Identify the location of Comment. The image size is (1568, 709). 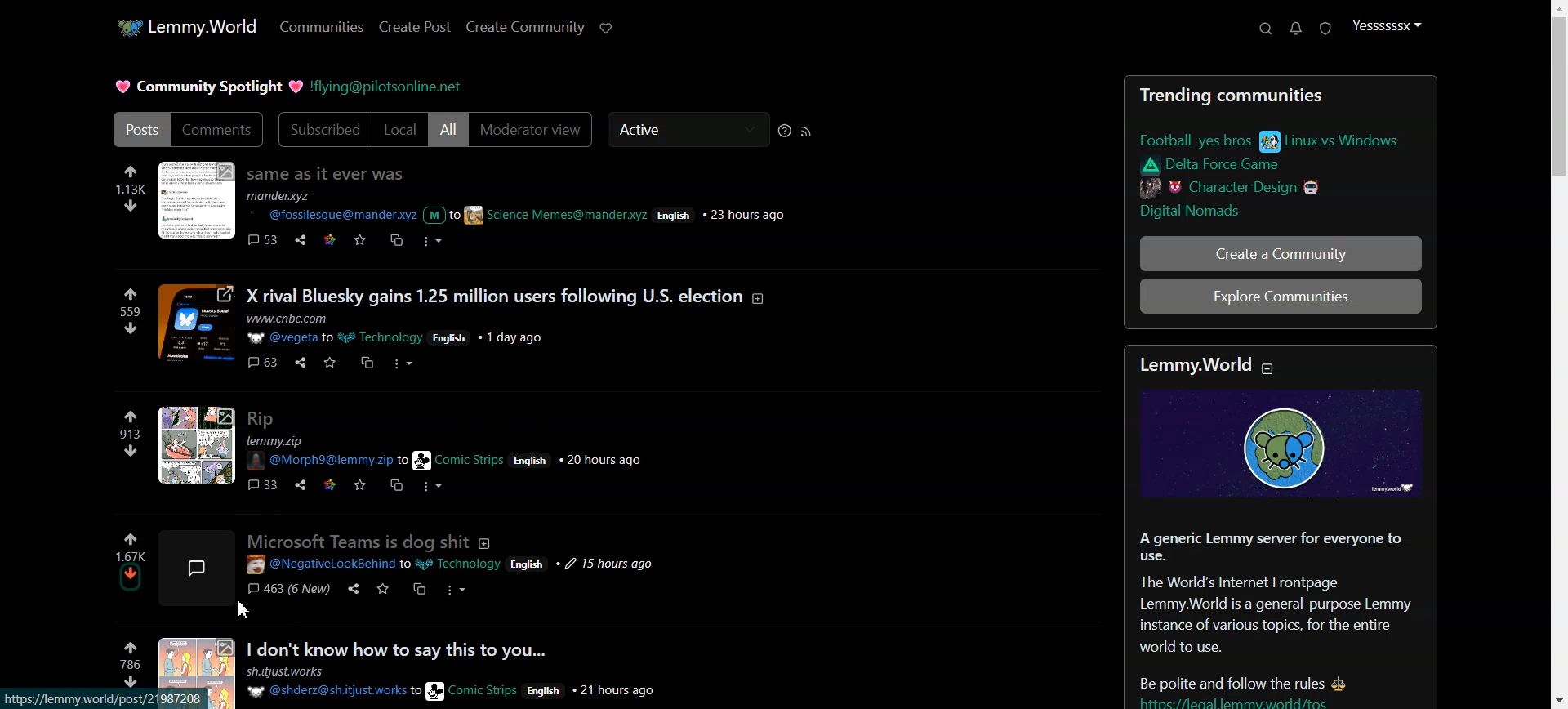
(291, 588).